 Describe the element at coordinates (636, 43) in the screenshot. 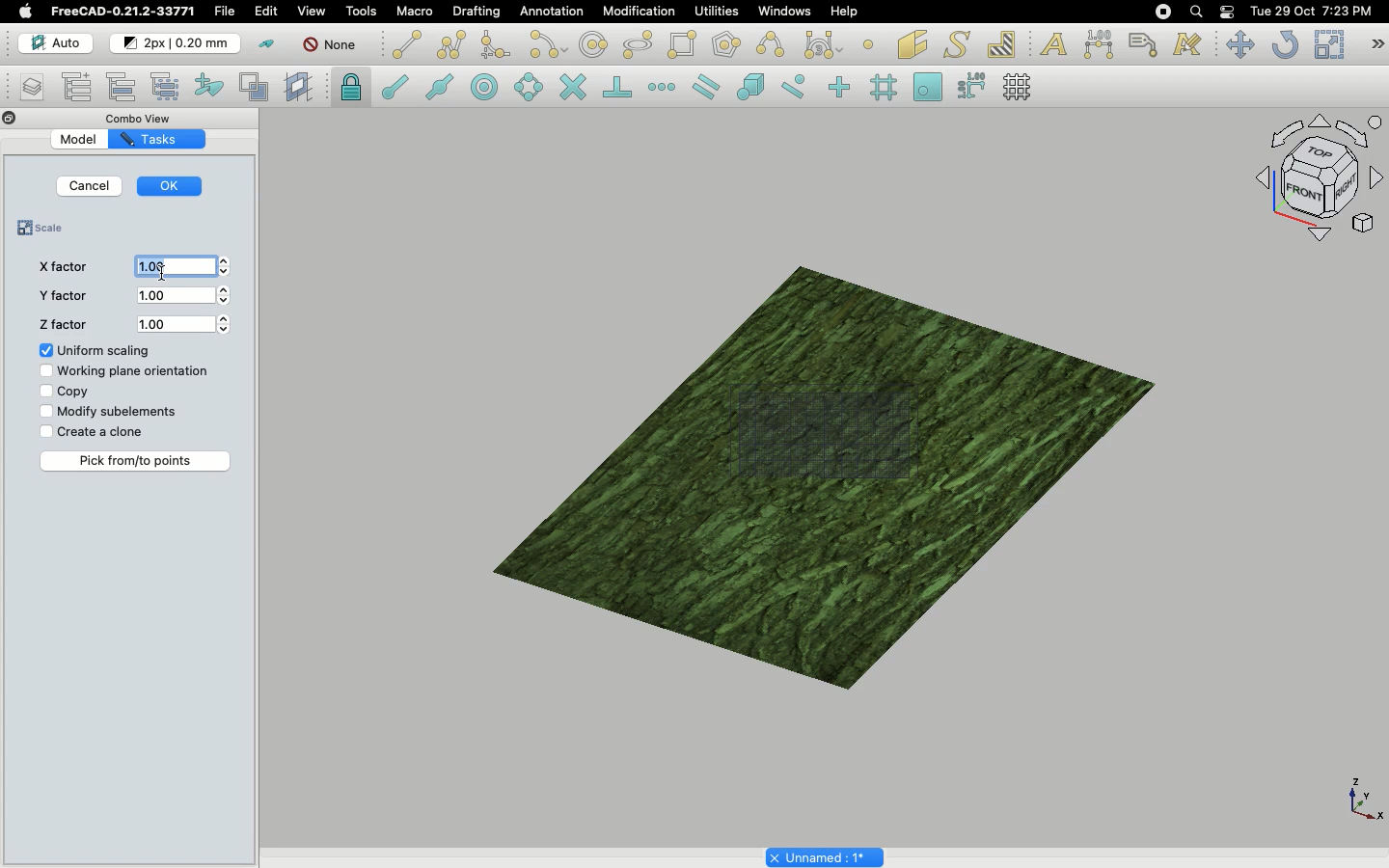

I see `Ellipse` at that location.